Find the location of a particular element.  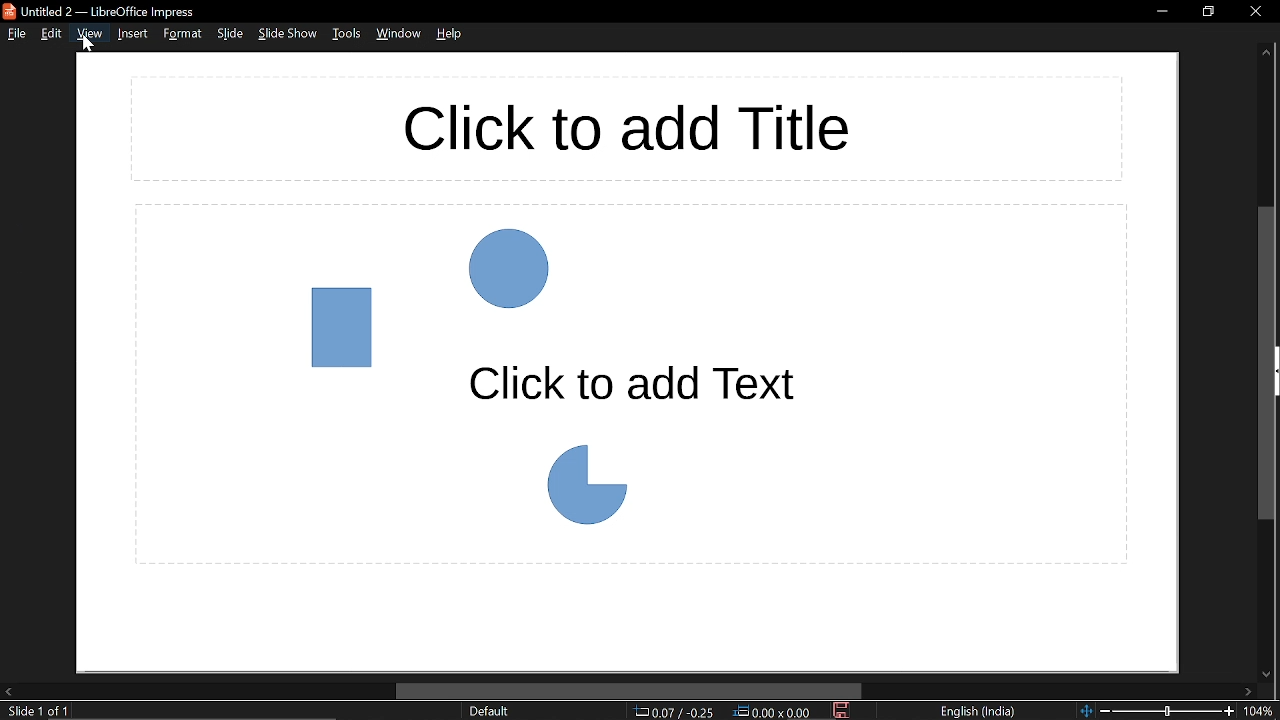

File is located at coordinates (14, 35).